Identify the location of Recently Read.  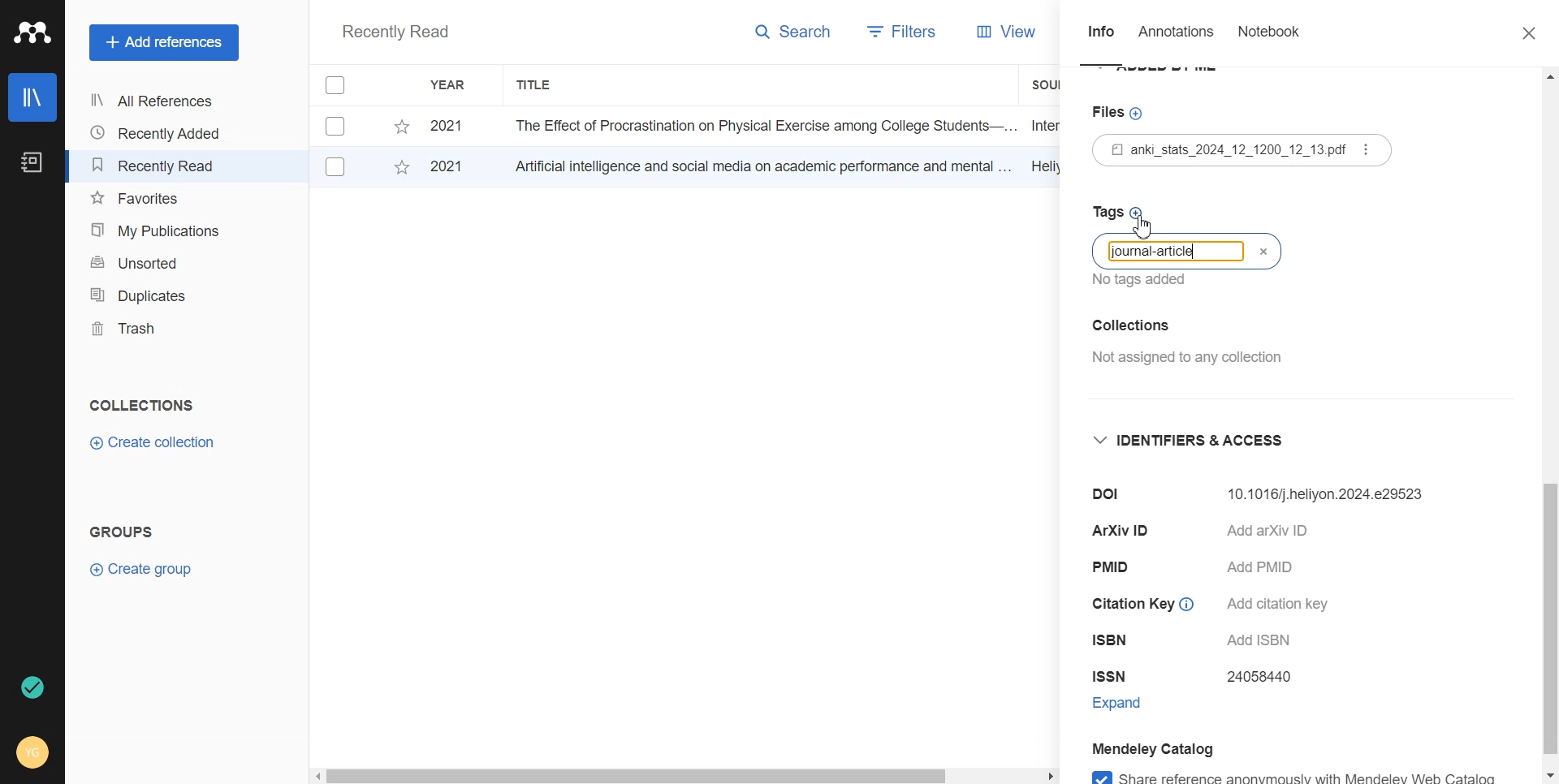
(158, 166).